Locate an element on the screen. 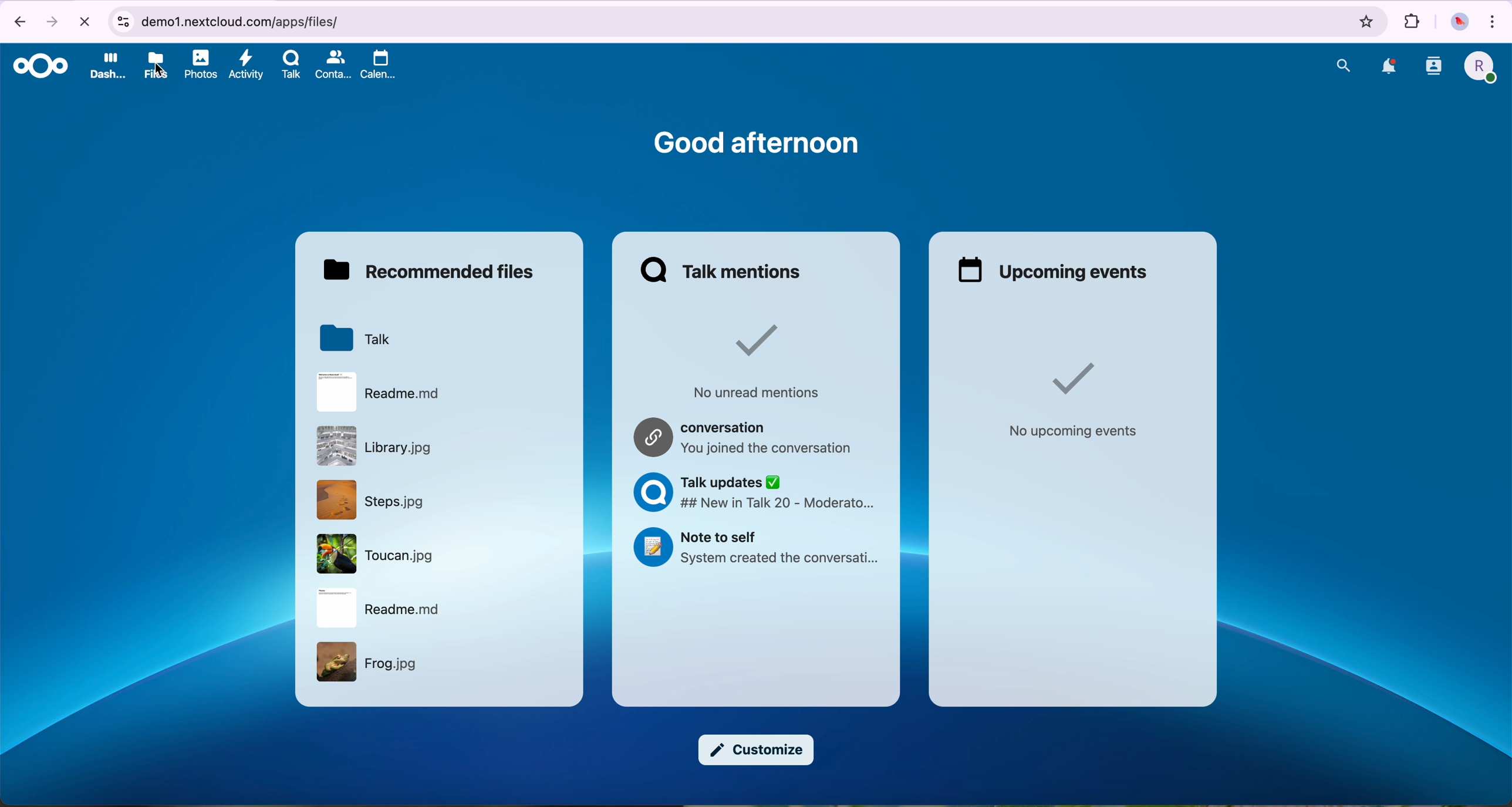  search is located at coordinates (1344, 65).